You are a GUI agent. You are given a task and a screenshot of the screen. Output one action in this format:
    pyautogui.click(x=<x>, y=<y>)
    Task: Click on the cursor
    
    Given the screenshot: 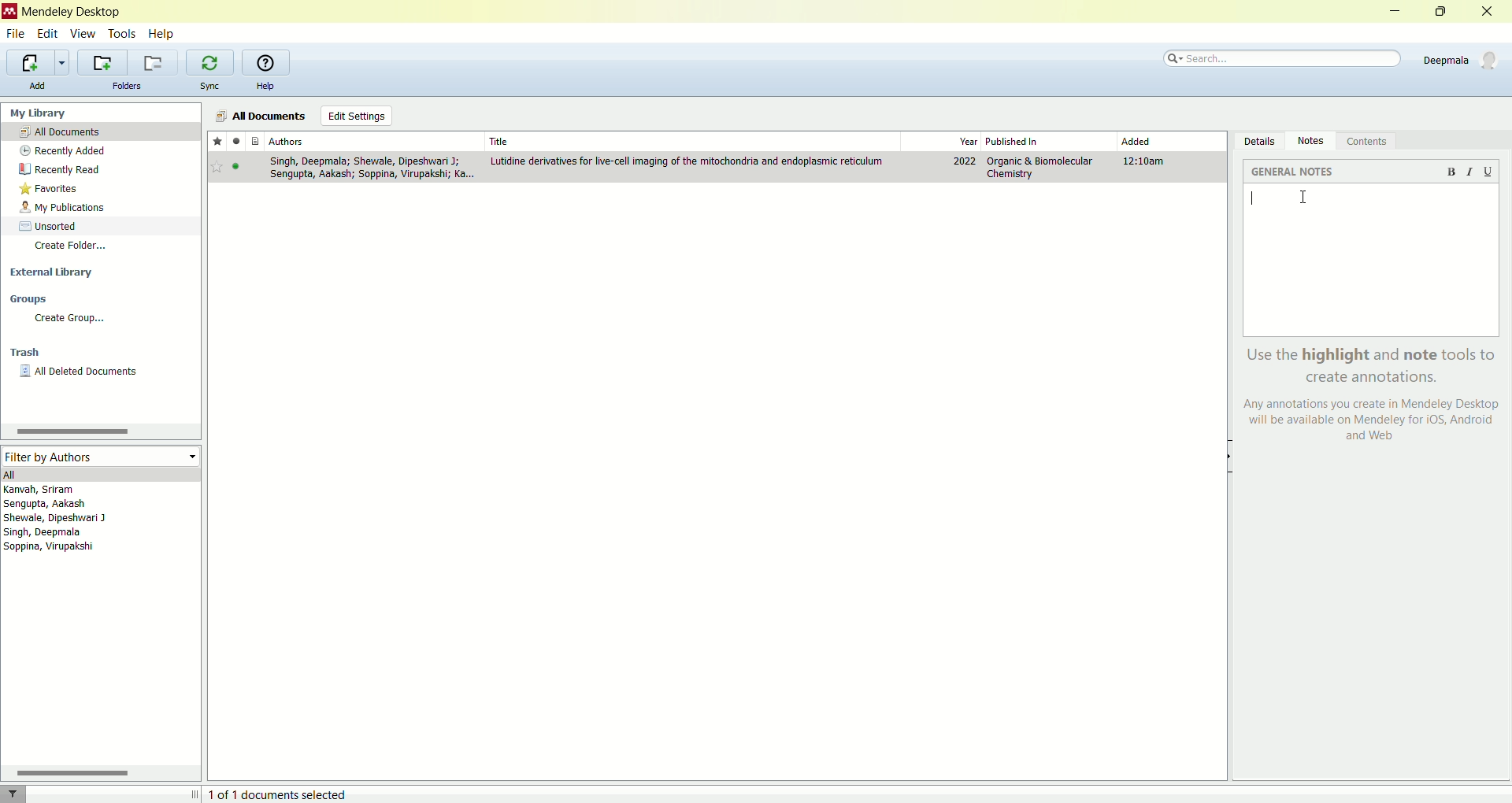 What is the action you would take?
    pyautogui.click(x=1303, y=202)
    